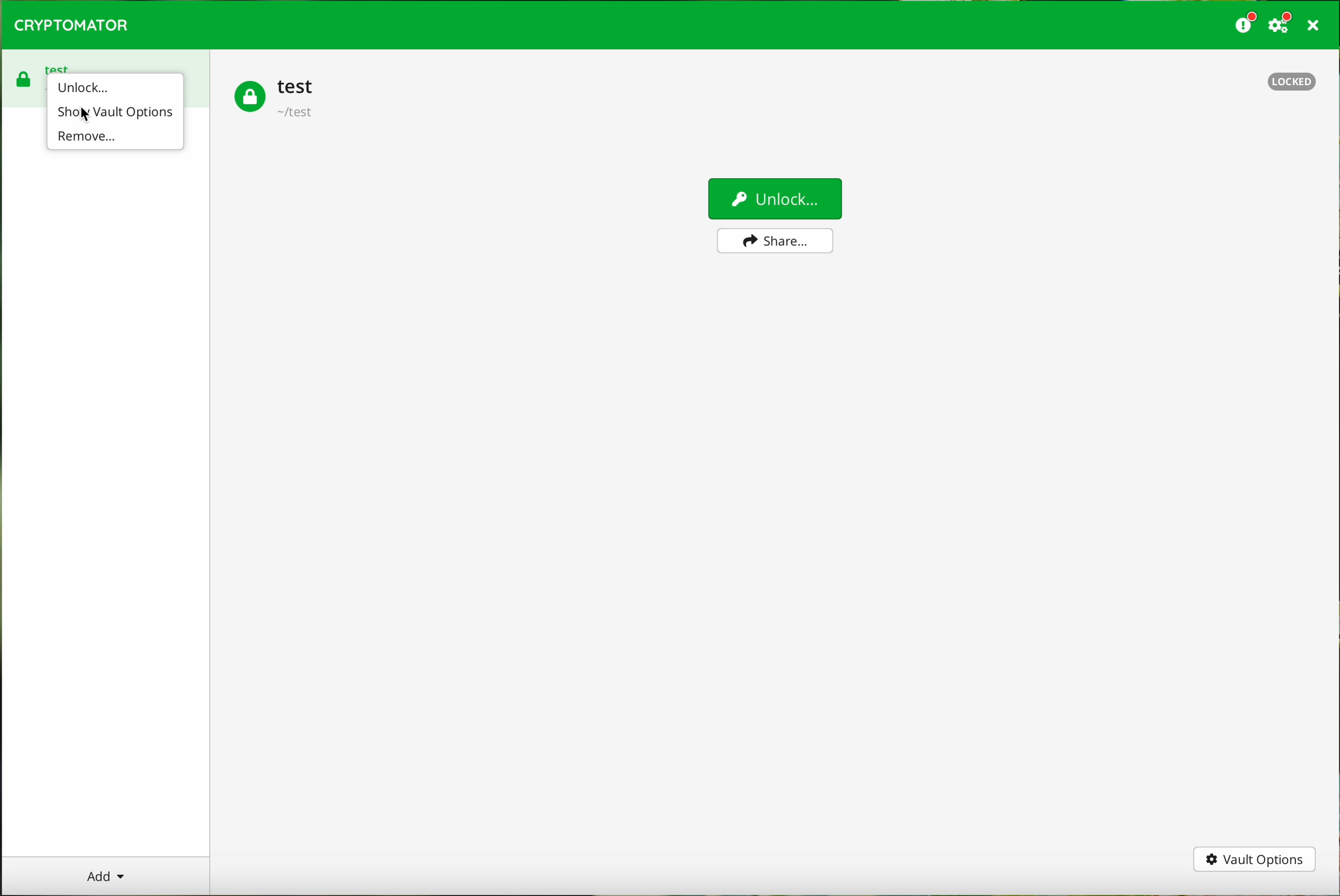  What do you see at coordinates (1282, 23) in the screenshot?
I see `settings` at bounding box center [1282, 23].